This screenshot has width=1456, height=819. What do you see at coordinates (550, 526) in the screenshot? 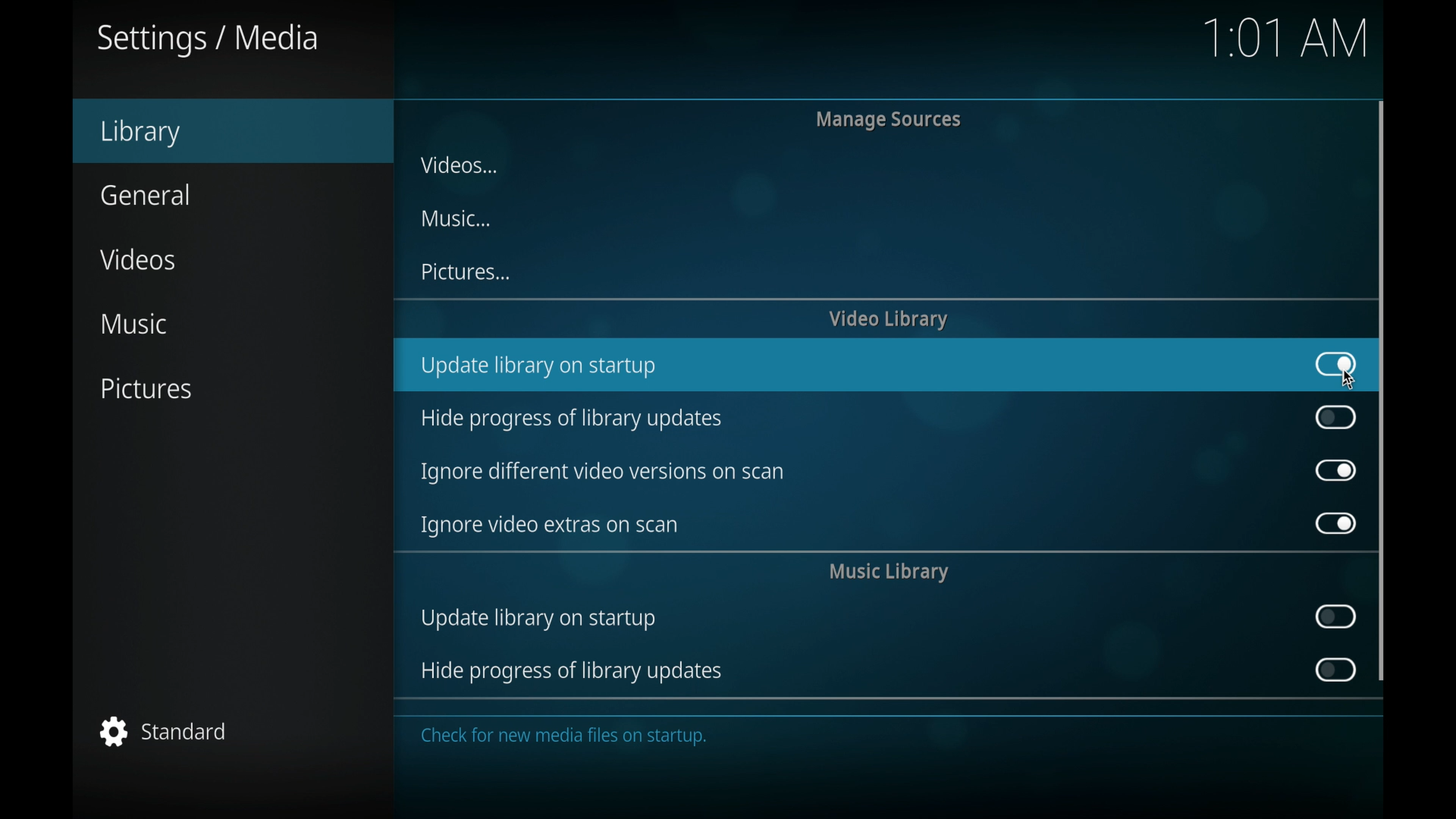
I see `ignore video extras on scan` at bounding box center [550, 526].